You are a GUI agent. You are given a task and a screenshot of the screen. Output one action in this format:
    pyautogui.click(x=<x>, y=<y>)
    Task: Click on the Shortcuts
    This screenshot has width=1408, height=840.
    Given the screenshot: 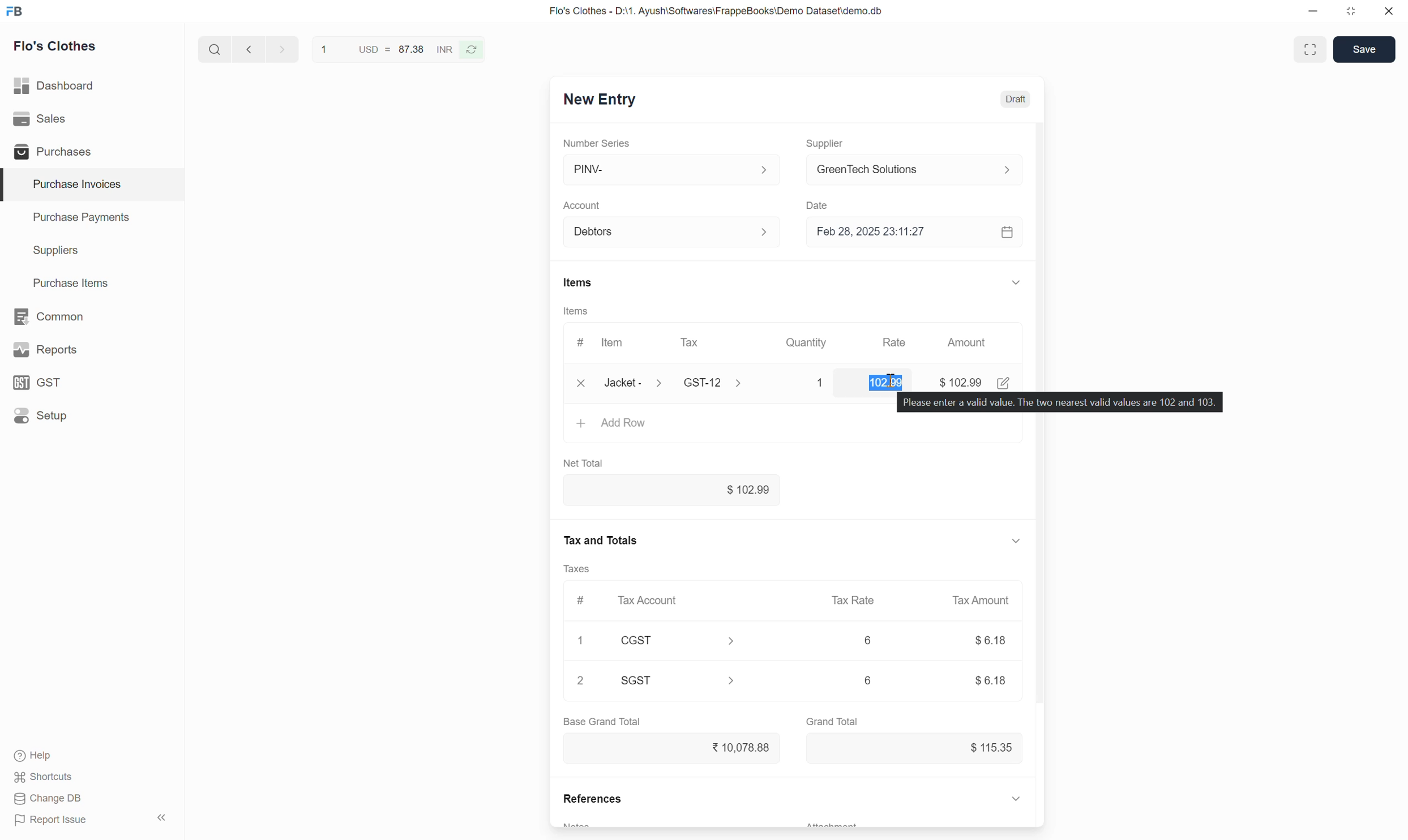 What is the action you would take?
    pyautogui.click(x=45, y=777)
    